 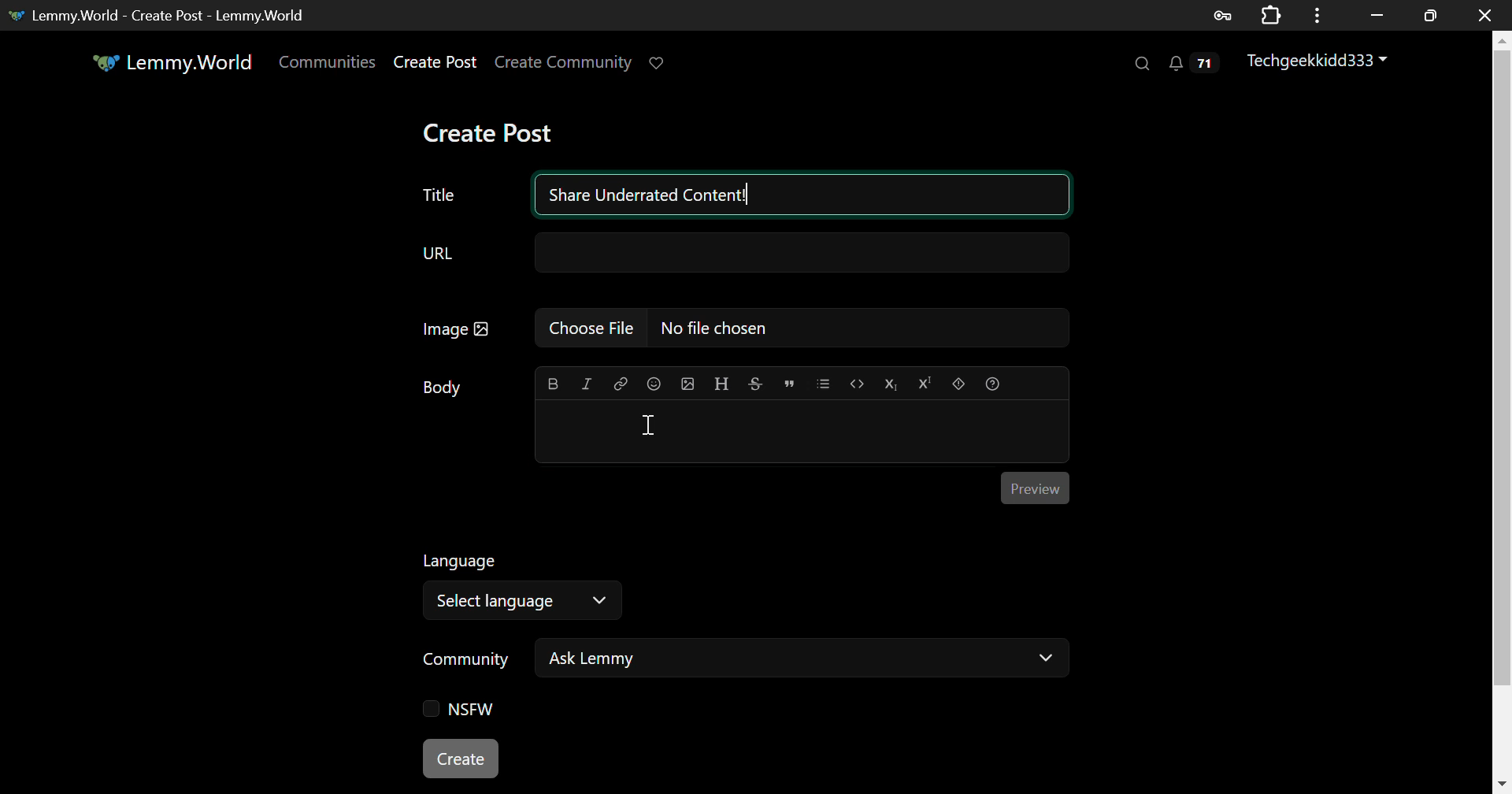 I want to click on NSFW Checkbox, so click(x=465, y=710).